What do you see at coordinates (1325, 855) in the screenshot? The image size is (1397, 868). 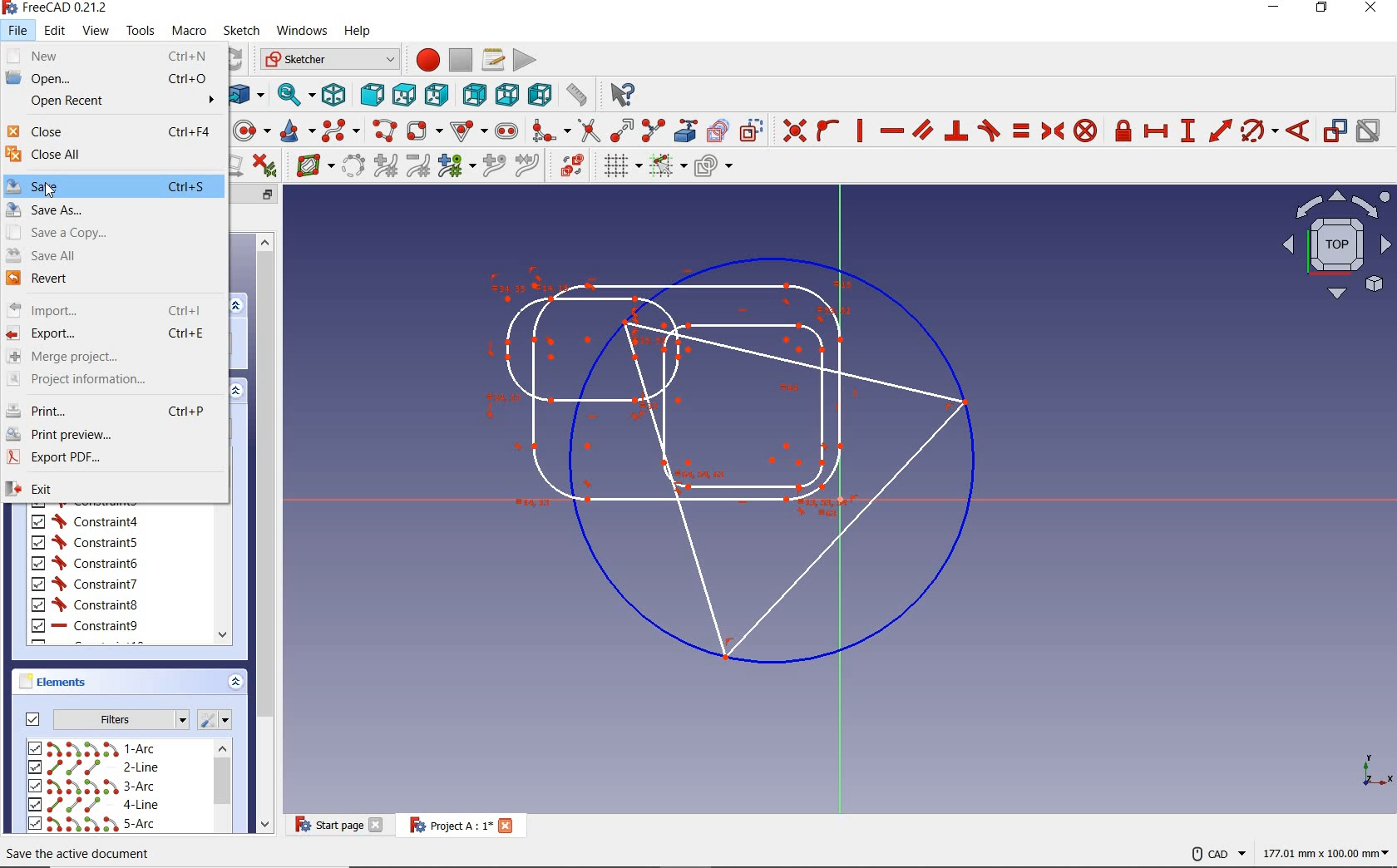 I see `177.01 mm x 100.00 mm` at bounding box center [1325, 855].